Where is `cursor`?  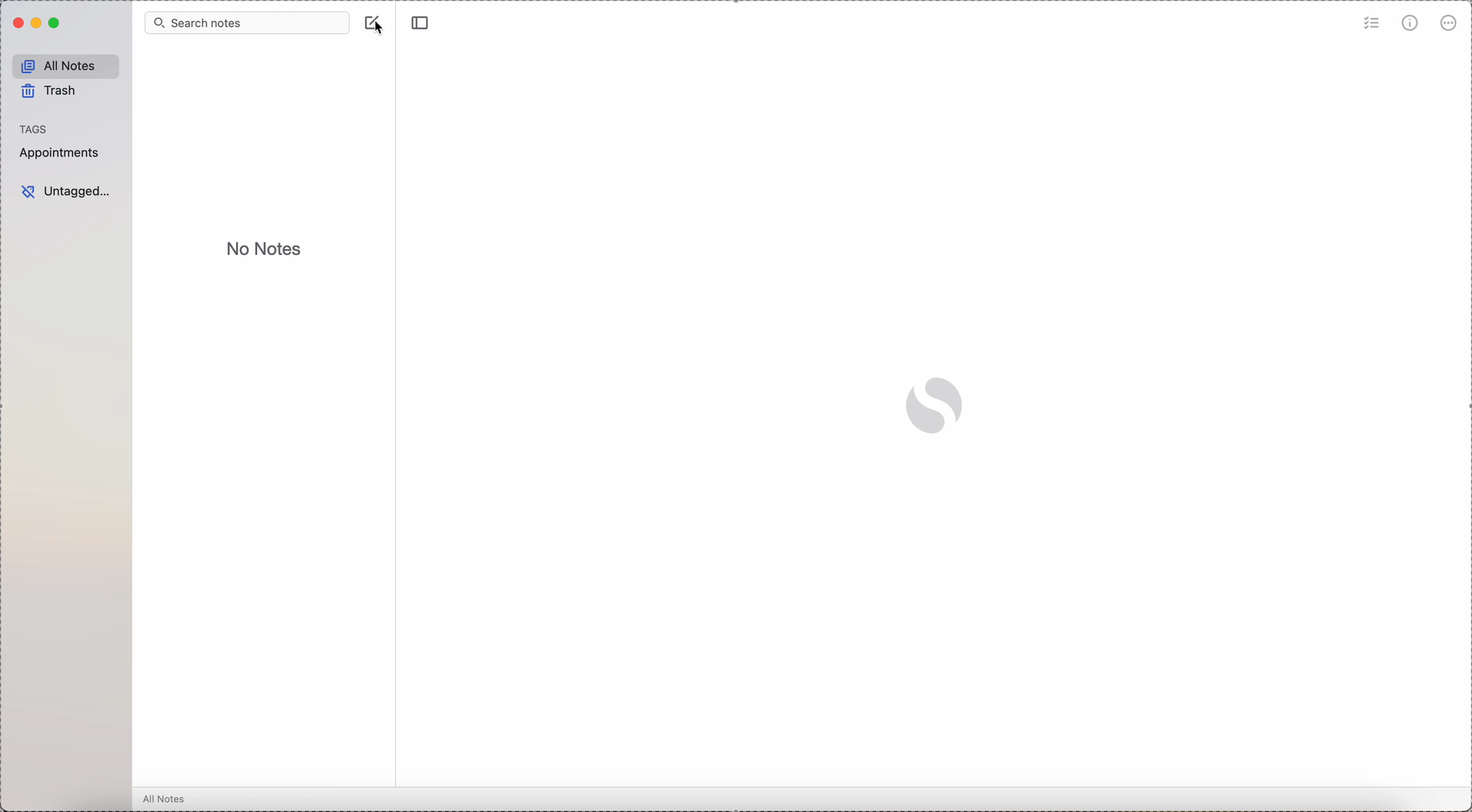 cursor is located at coordinates (386, 30).